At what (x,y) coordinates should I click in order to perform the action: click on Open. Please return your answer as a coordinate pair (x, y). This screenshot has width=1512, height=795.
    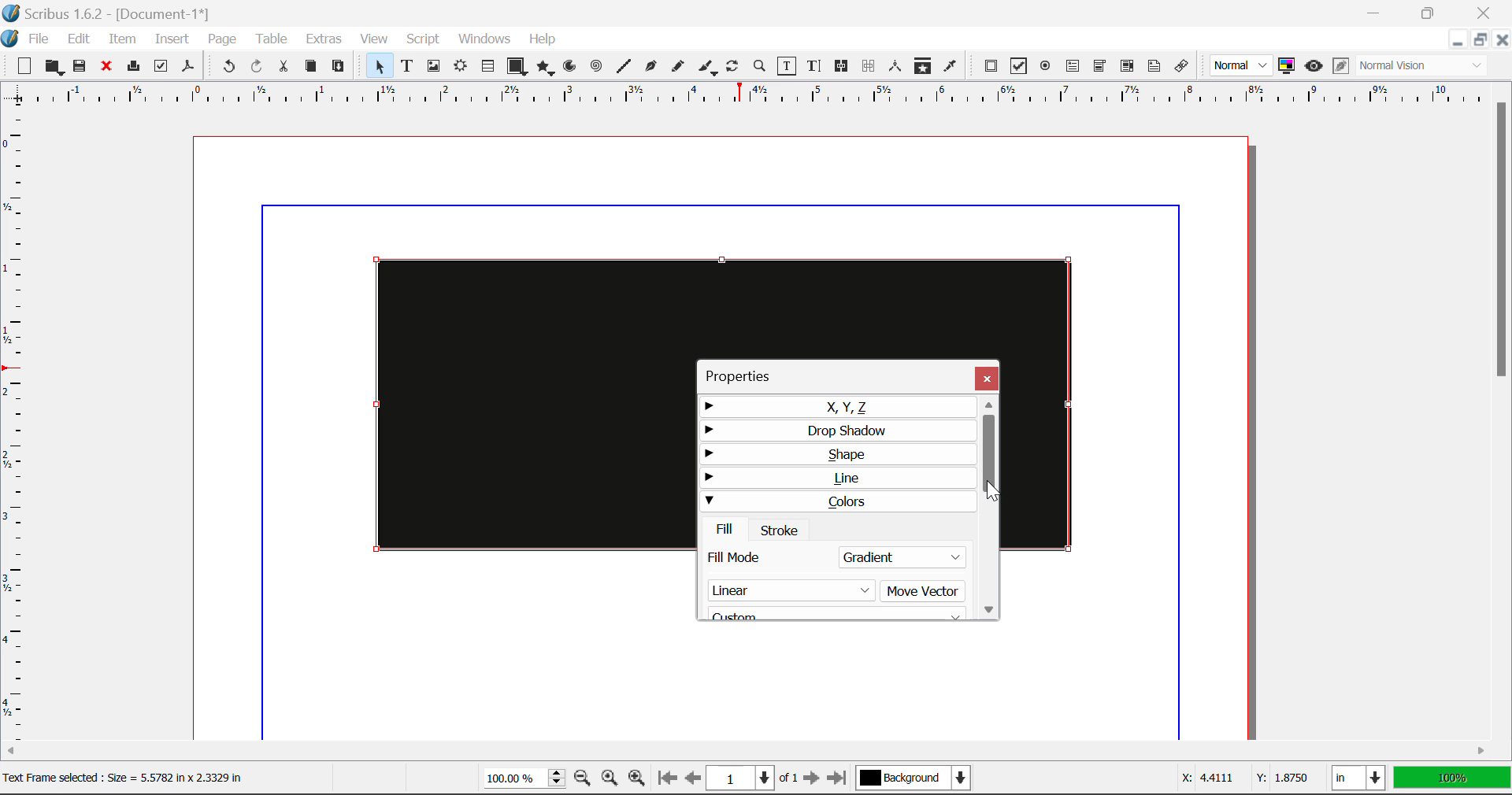
    Looking at the image, I should click on (56, 68).